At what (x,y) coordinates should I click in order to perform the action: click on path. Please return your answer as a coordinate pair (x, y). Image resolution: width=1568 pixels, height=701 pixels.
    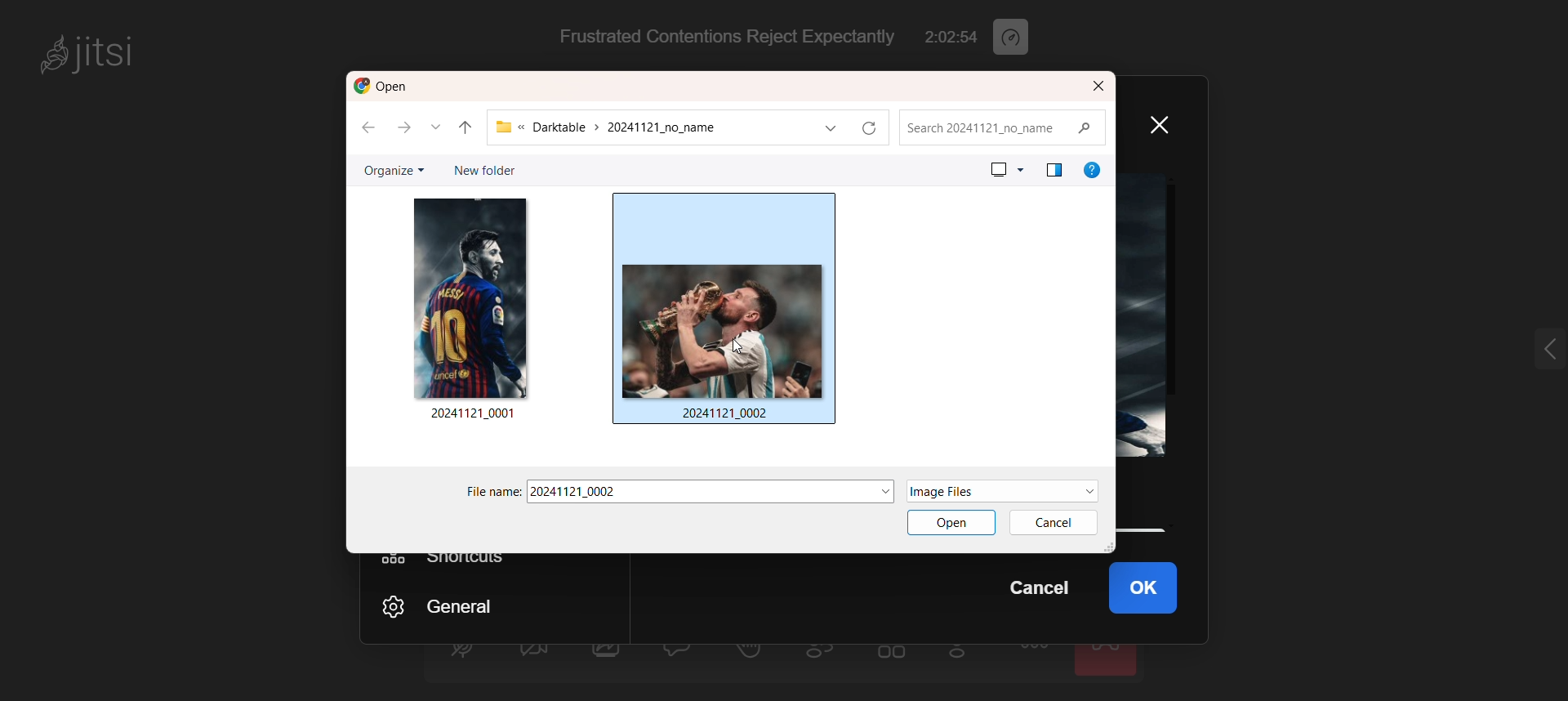
    Looking at the image, I should click on (644, 128).